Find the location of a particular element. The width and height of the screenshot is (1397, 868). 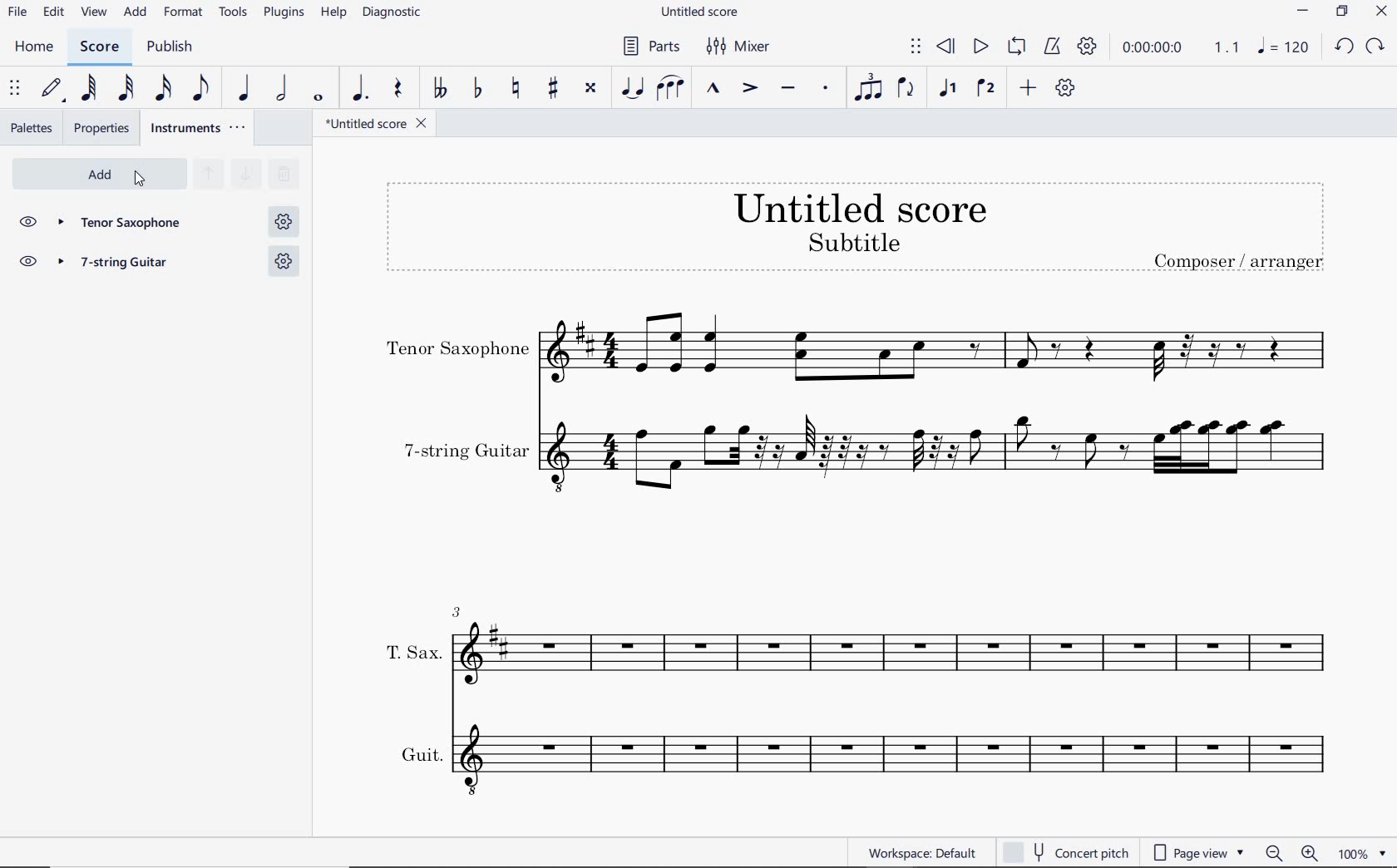

VOICE 2 is located at coordinates (988, 89).